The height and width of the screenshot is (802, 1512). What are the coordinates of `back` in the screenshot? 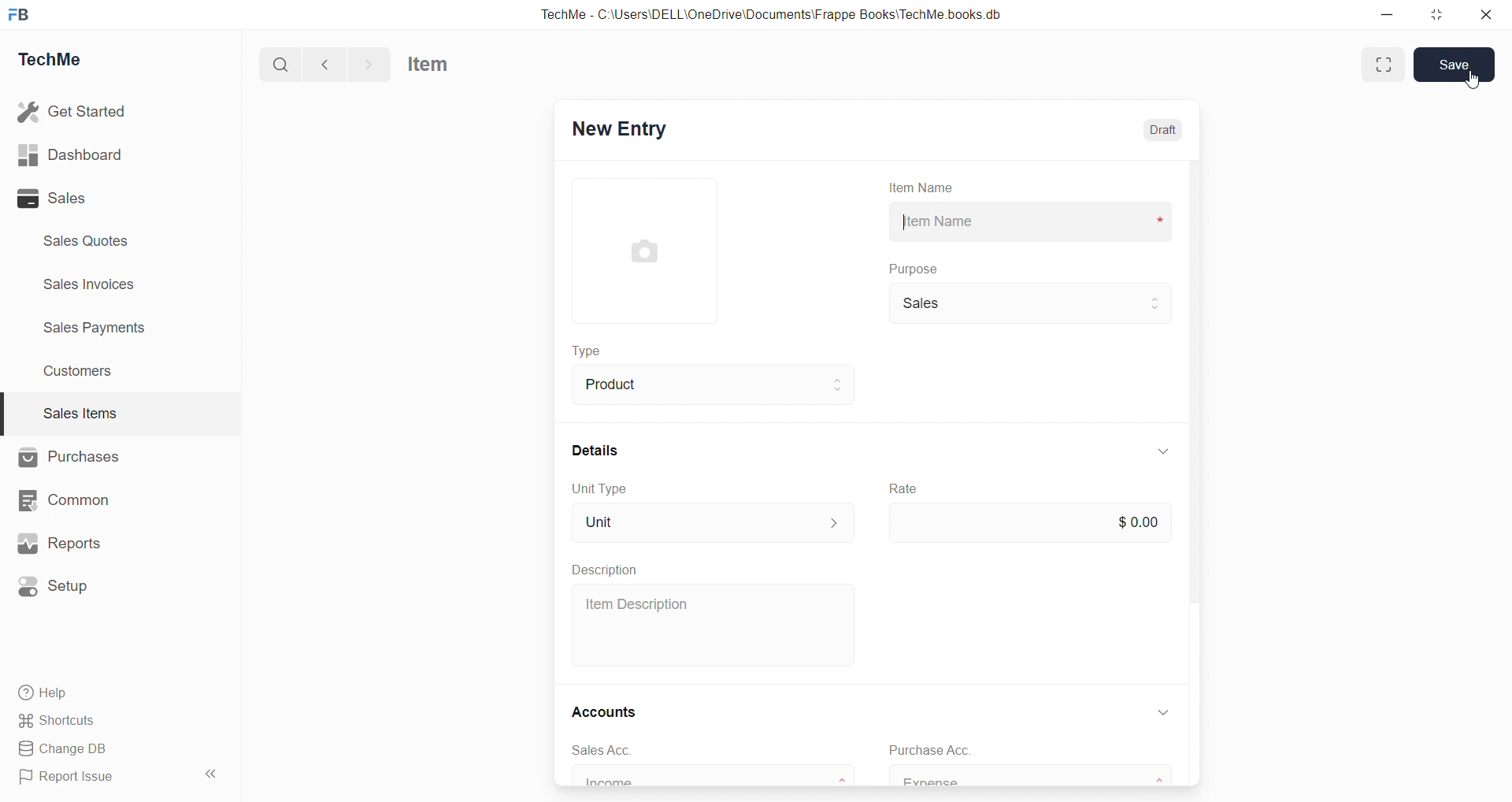 It's located at (326, 64).